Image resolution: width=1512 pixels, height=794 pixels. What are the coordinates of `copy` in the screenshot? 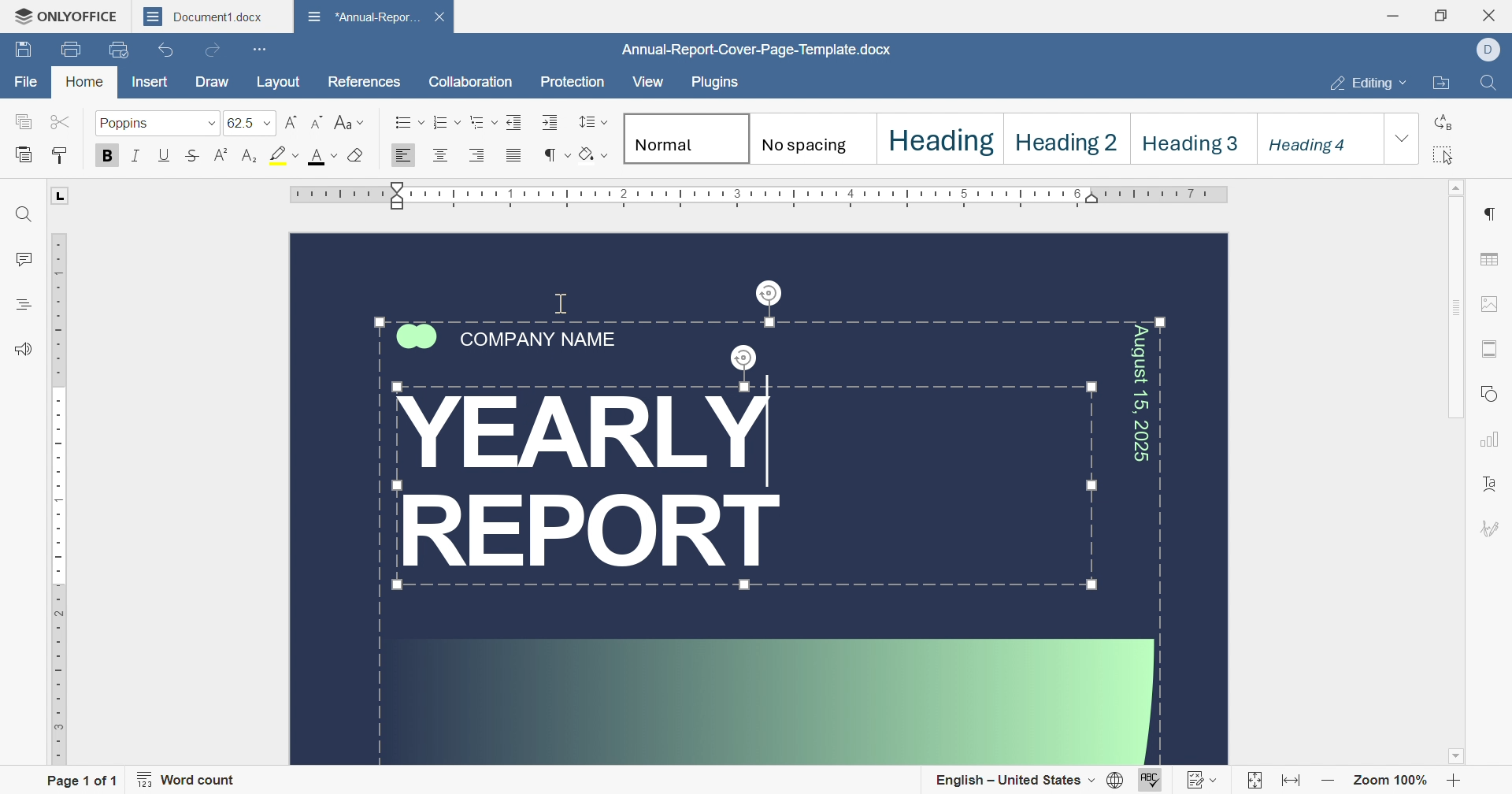 It's located at (26, 124).